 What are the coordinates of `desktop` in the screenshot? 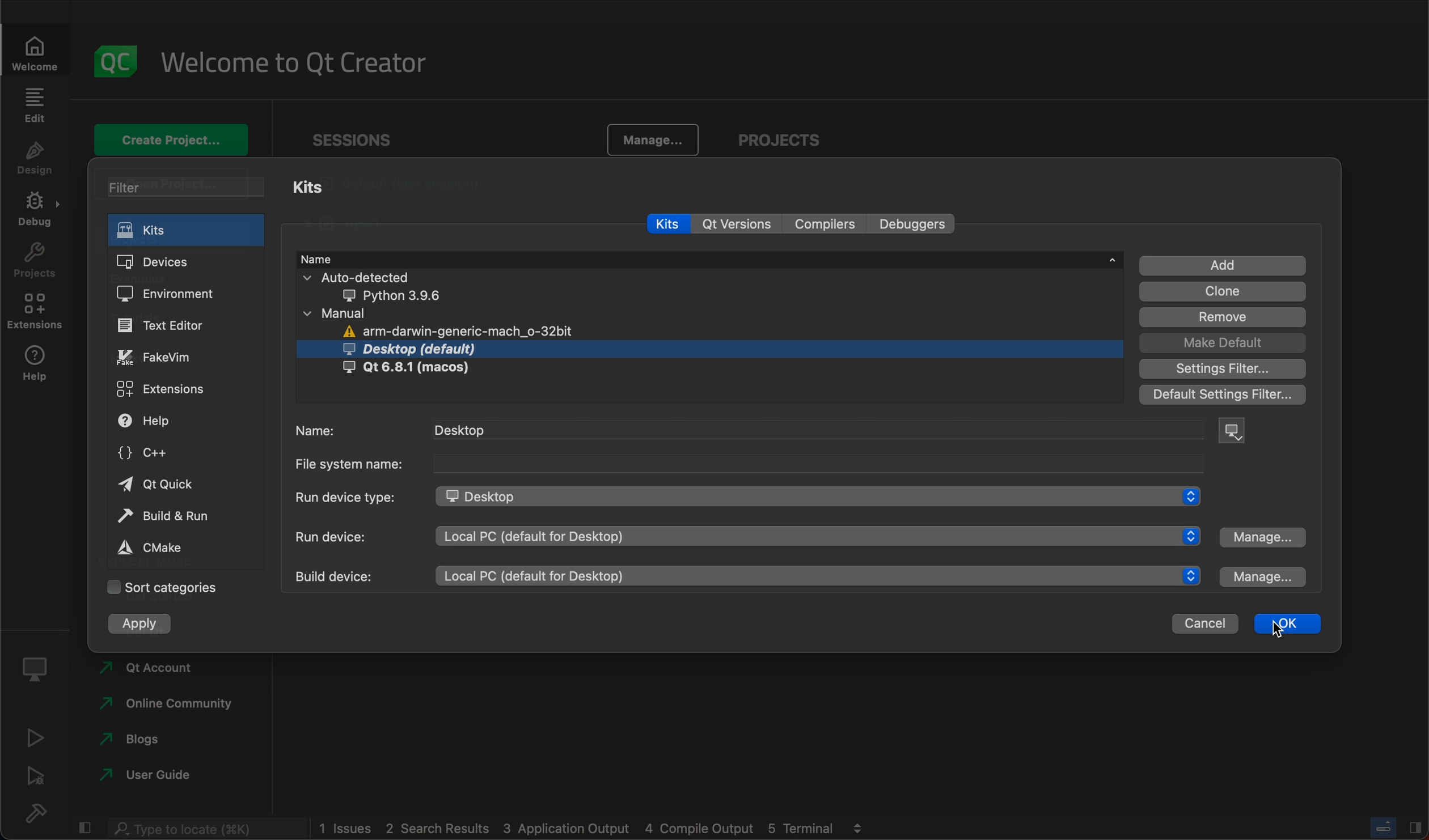 It's located at (813, 431).